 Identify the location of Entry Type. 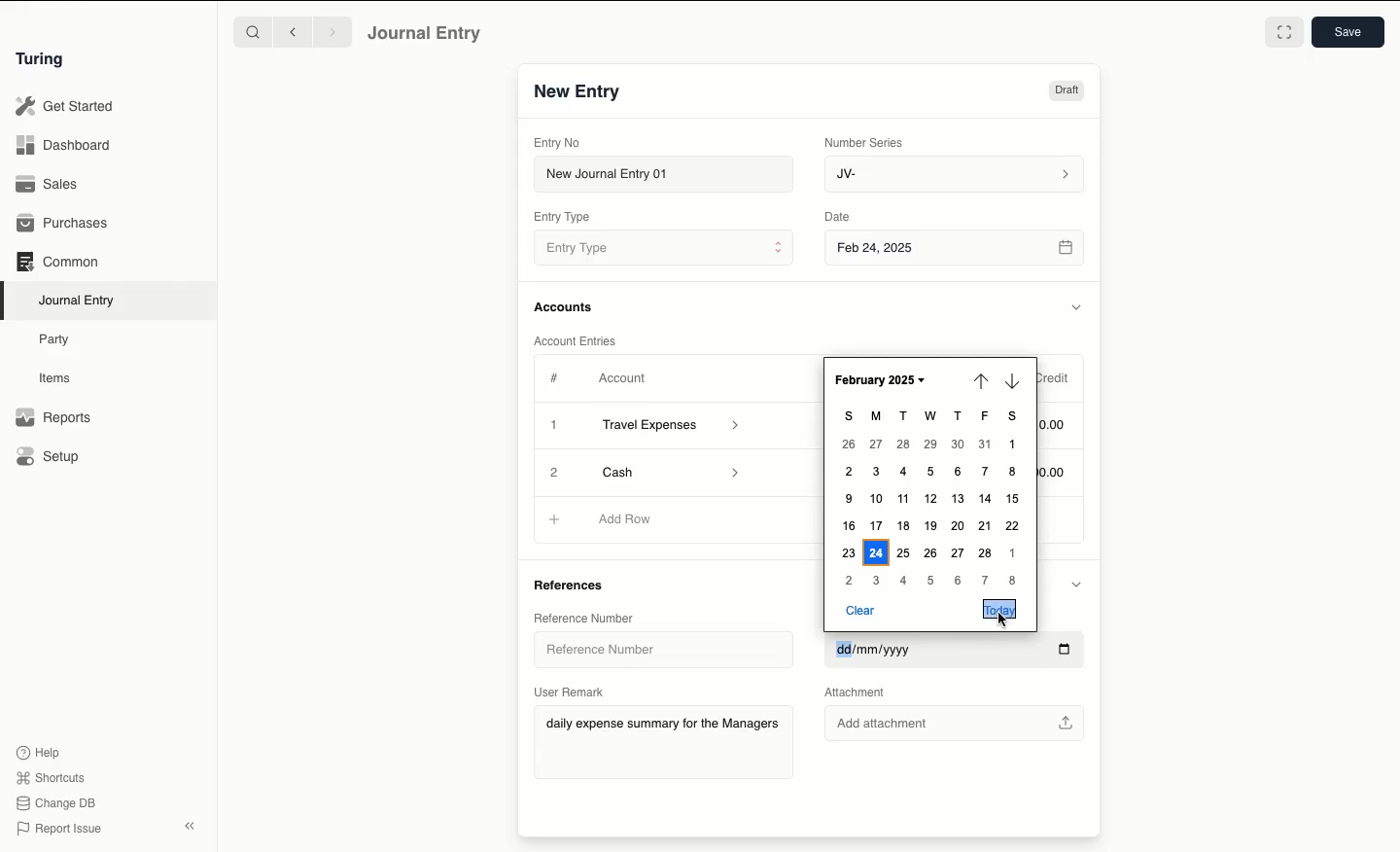
(663, 247).